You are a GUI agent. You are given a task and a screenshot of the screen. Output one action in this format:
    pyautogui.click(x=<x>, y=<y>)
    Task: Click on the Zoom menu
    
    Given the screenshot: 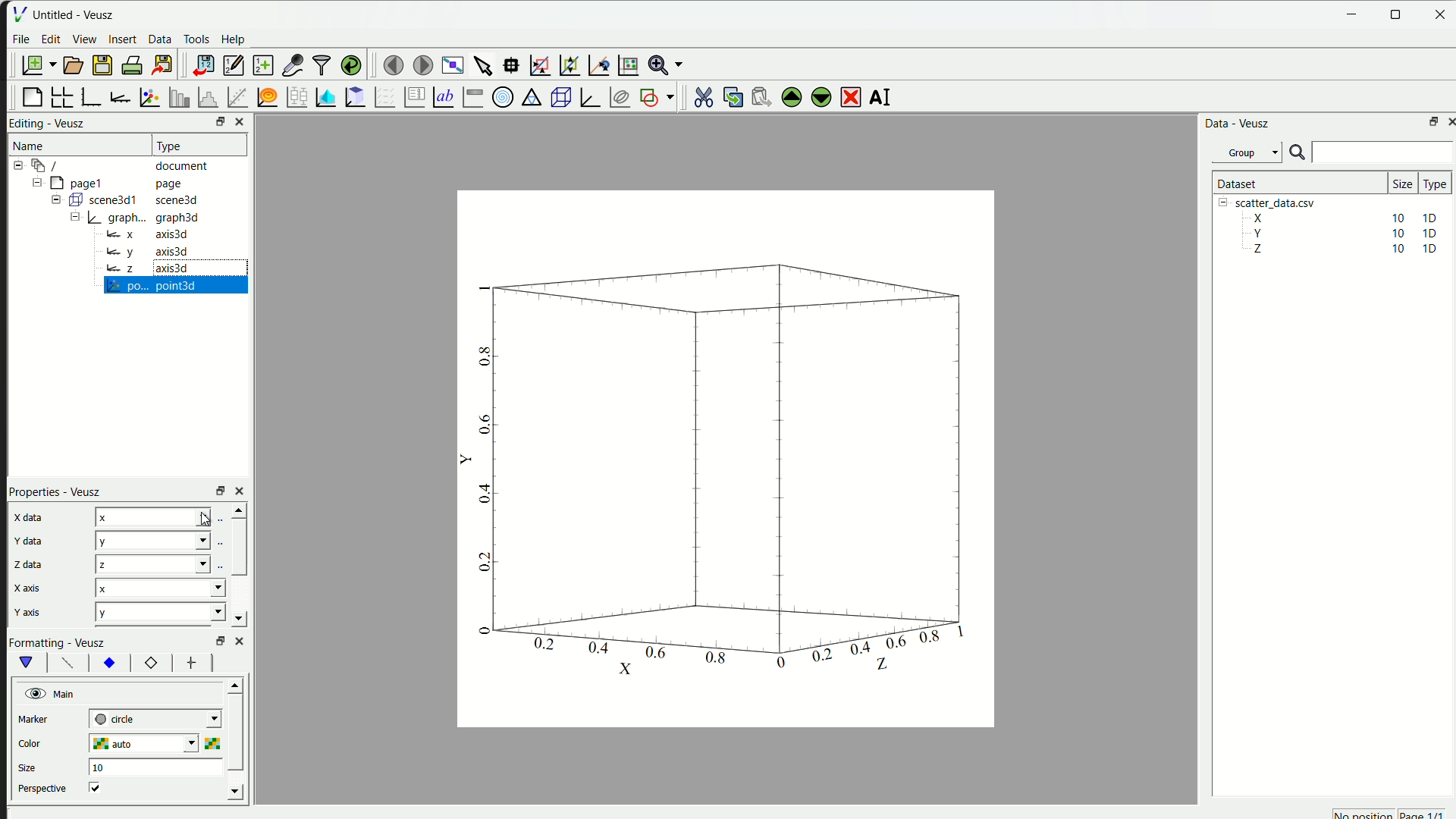 What is the action you would take?
    pyautogui.click(x=664, y=64)
    